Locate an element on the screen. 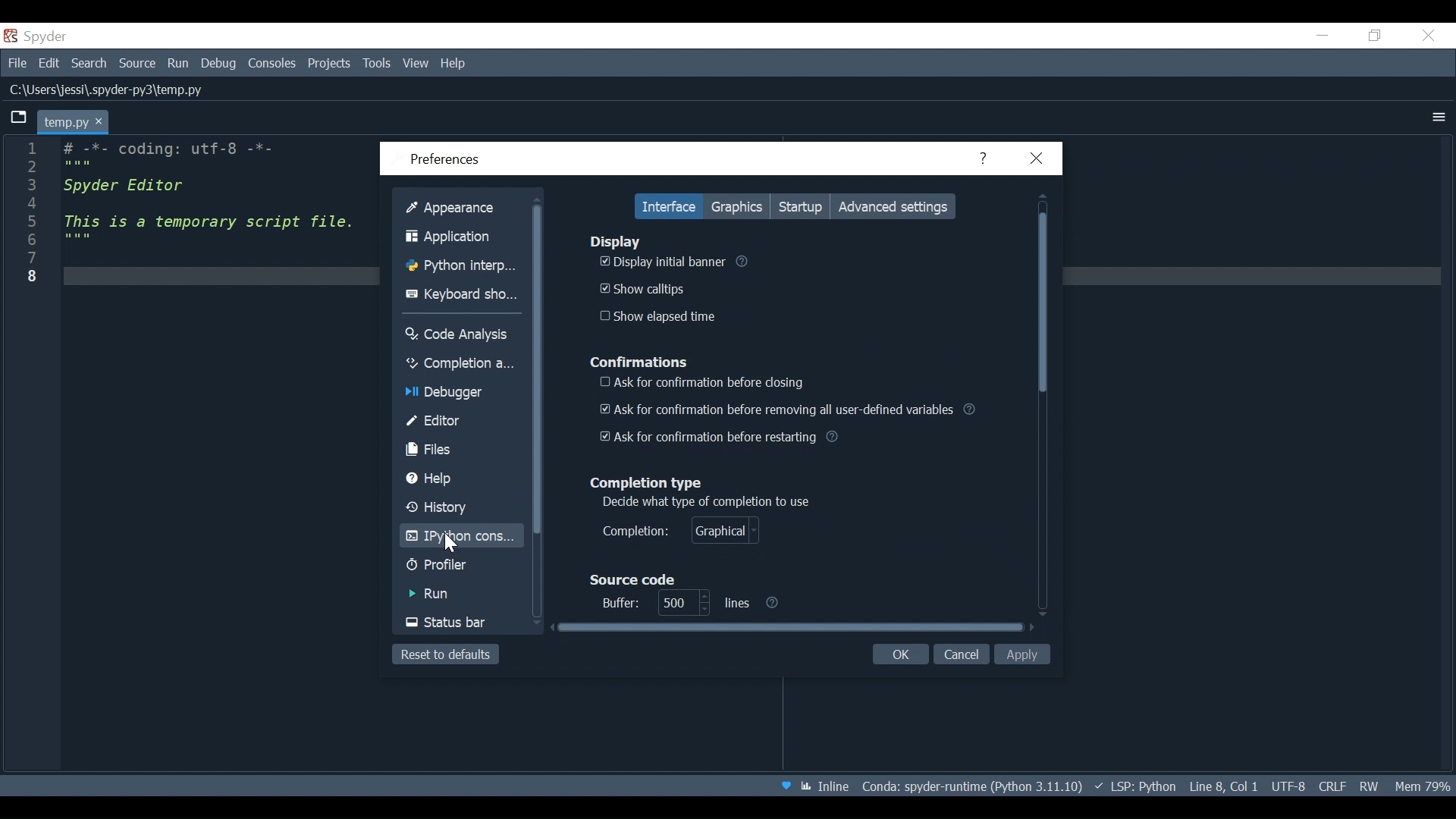 This screenshot has width=1456, height=819. Toggle inline and interactive Matplotlib plotting is located at coordinates (836, 788).